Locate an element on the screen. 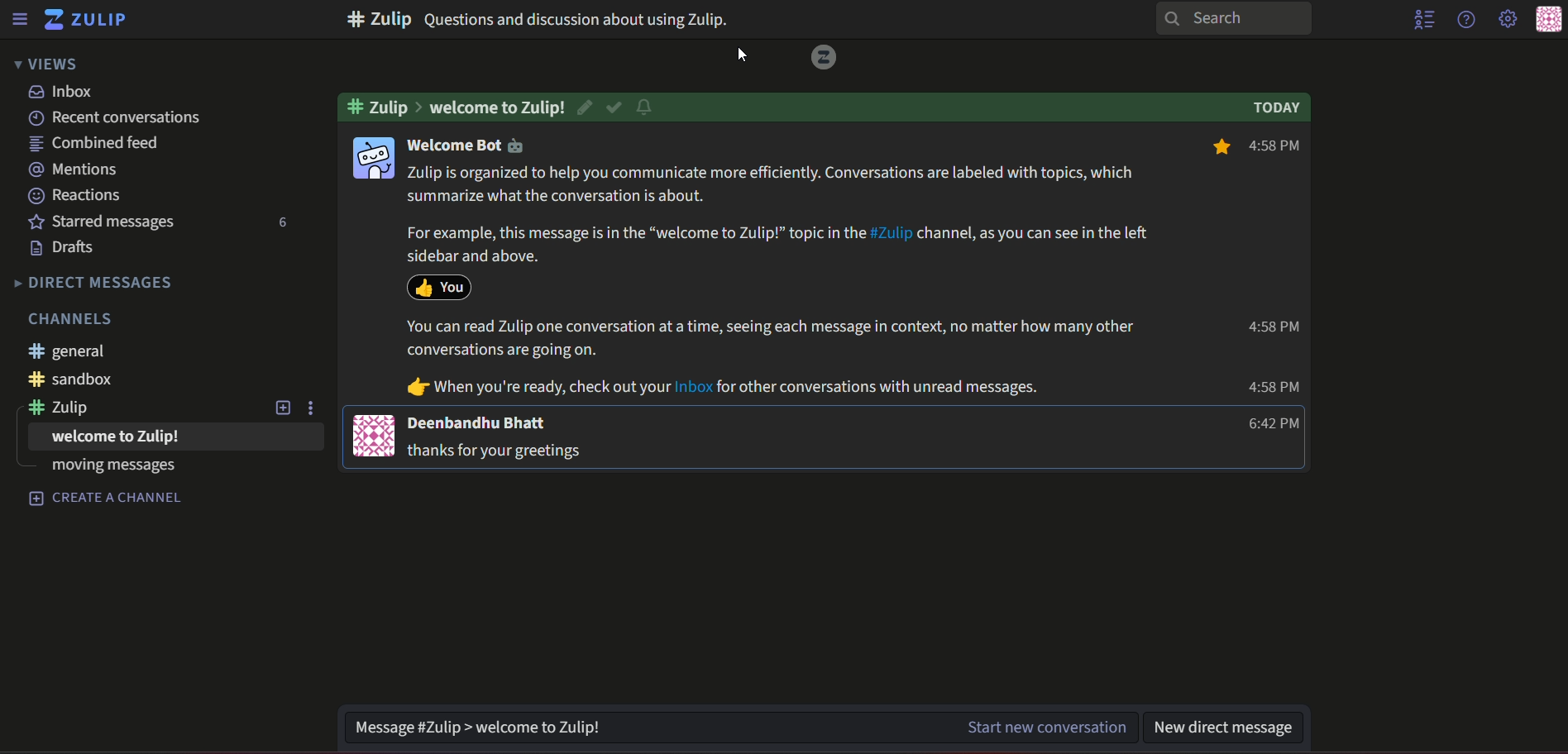  Number is located at coordinates (280, 223).